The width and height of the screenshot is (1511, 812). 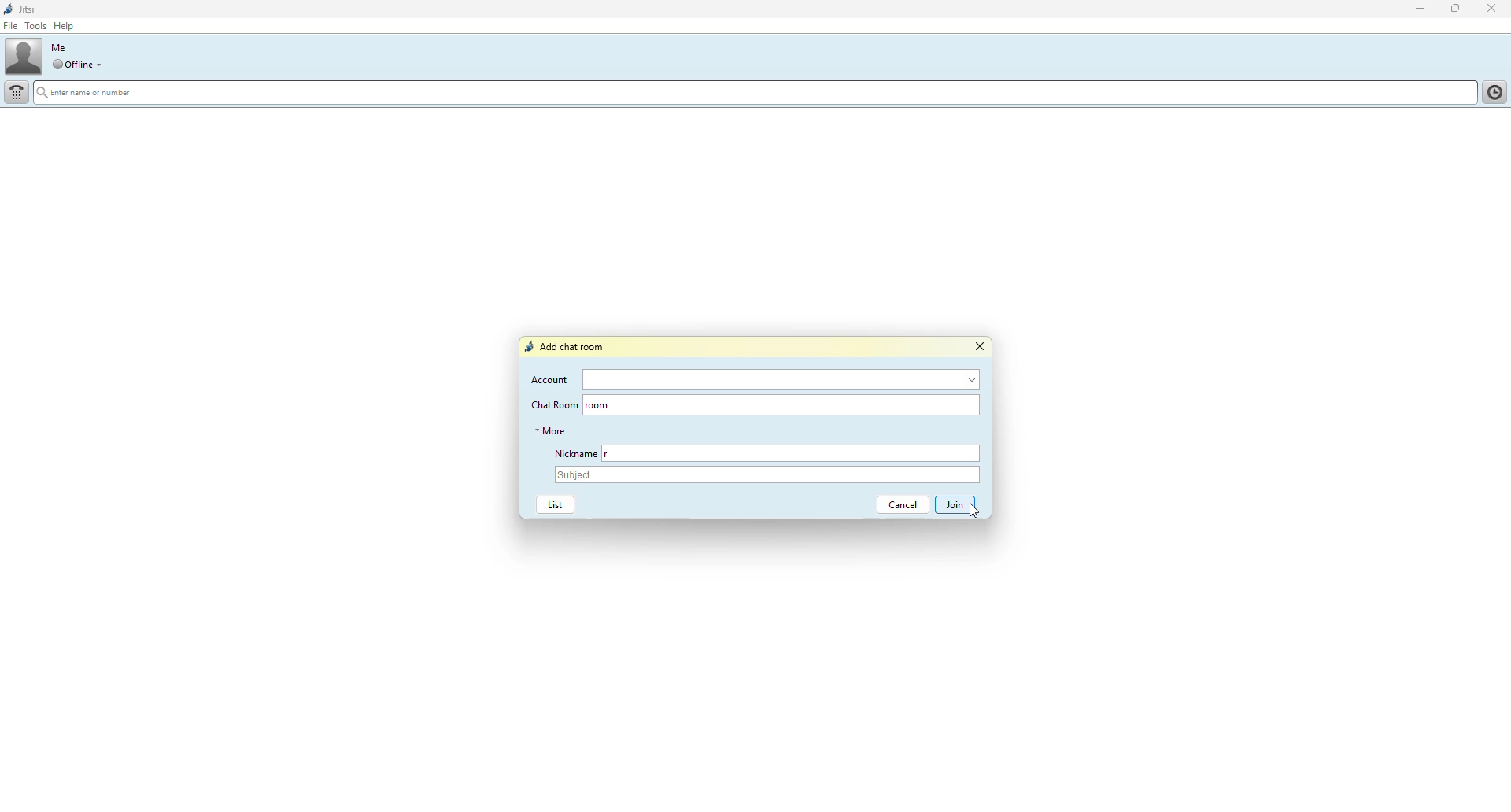 I want to click on more, so click(x=551, y=430).